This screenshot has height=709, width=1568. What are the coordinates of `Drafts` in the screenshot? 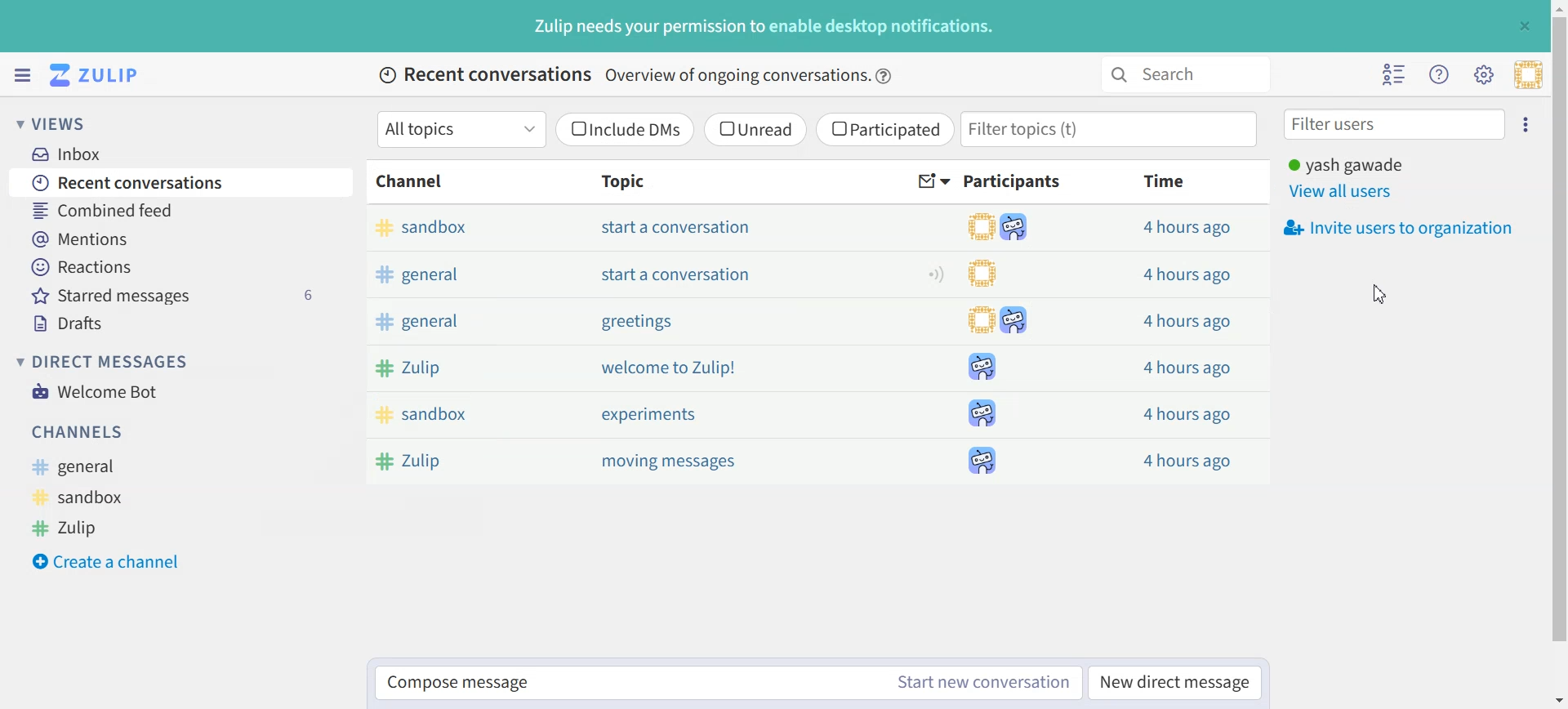 It's located at (185, 323).